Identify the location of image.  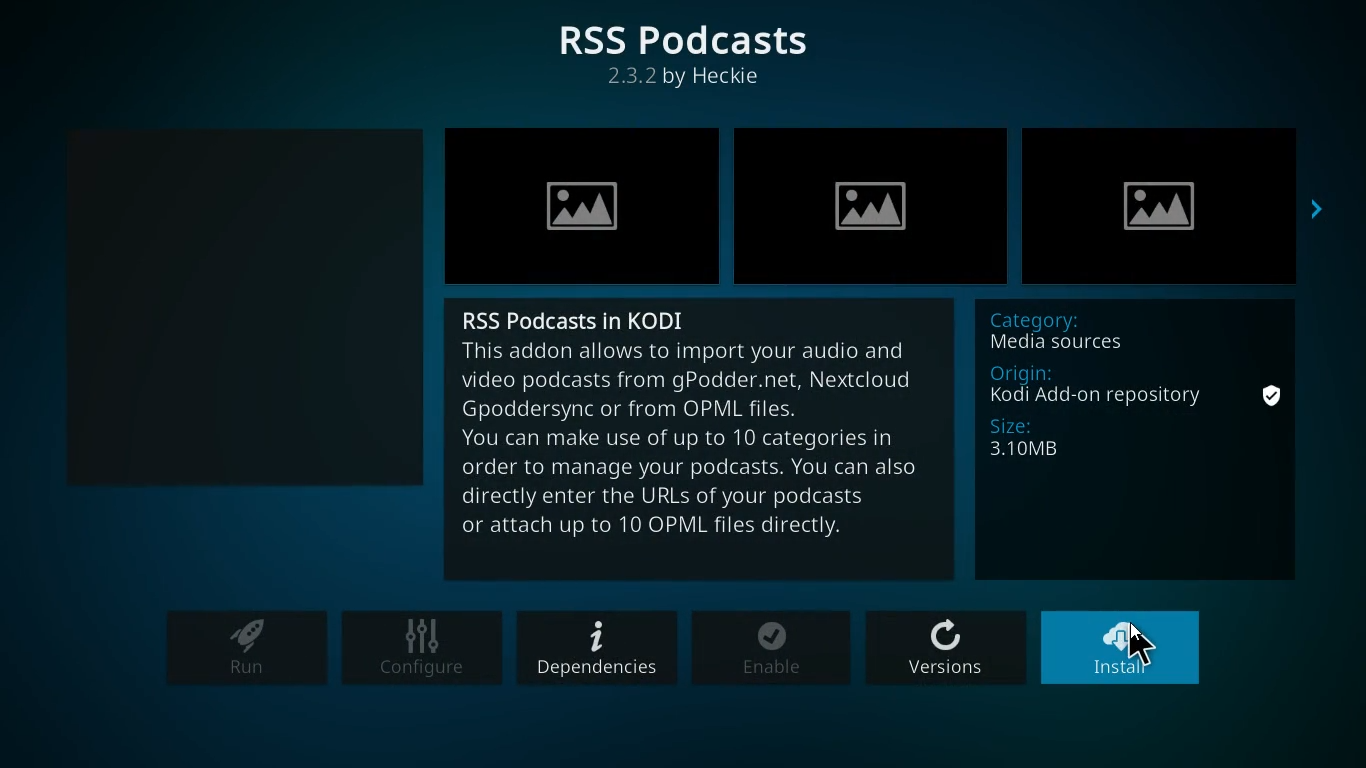
(874, 201).